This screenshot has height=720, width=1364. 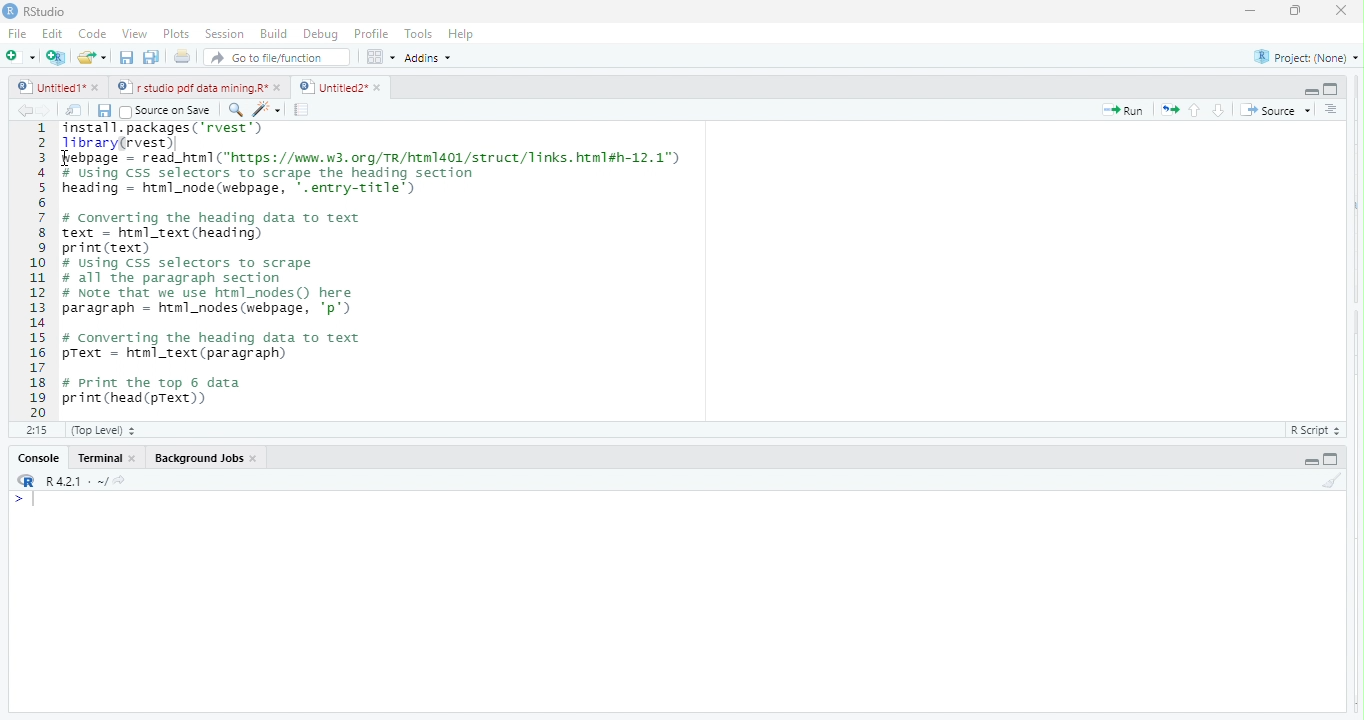 What do you see at coordinates (1307, 60) in the screenshot?
I see ` project: (None)` at bounding box center [1307, 60].